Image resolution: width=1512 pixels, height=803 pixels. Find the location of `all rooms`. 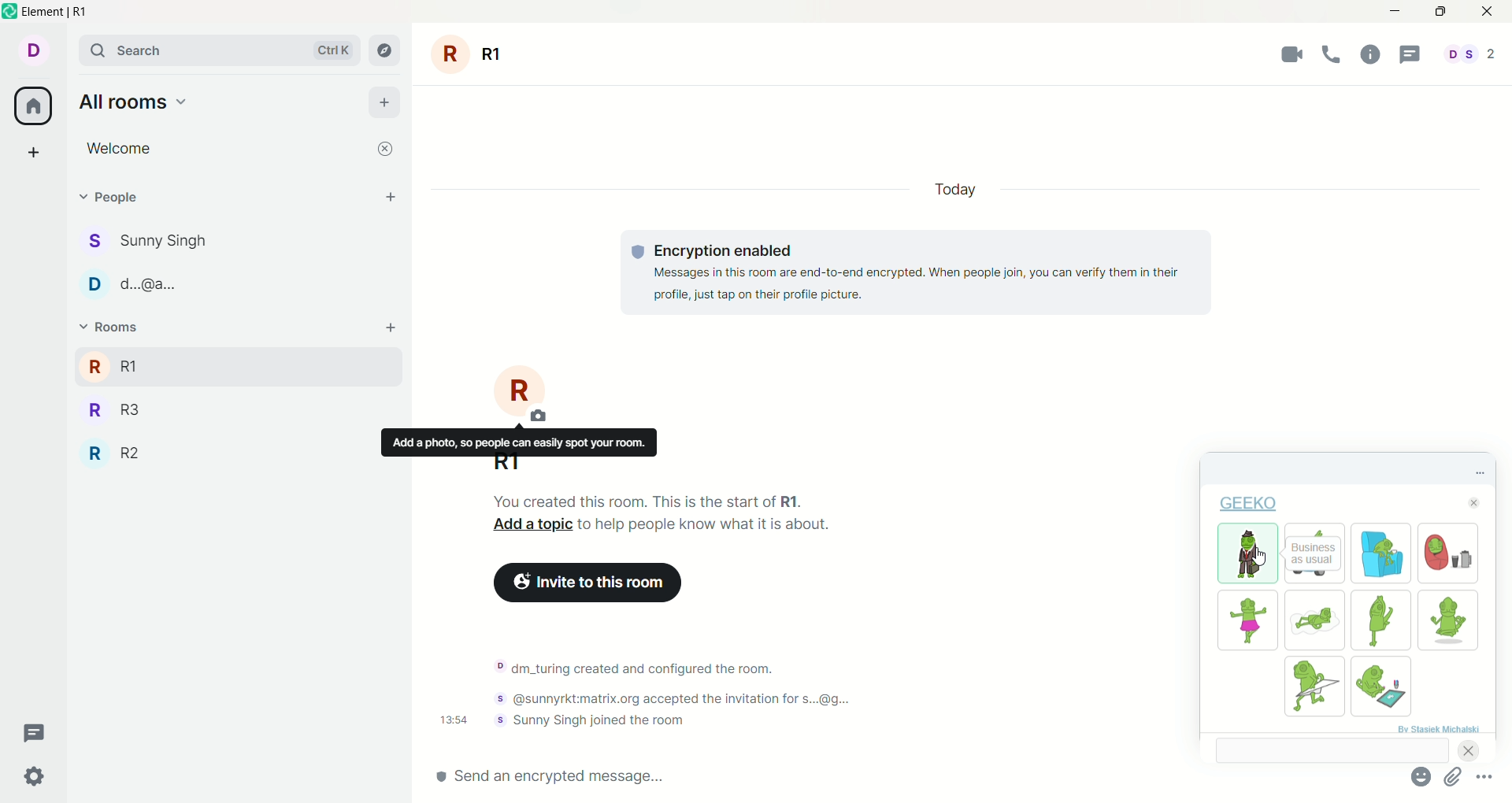

all rooms is located at coordinates (135, 102).